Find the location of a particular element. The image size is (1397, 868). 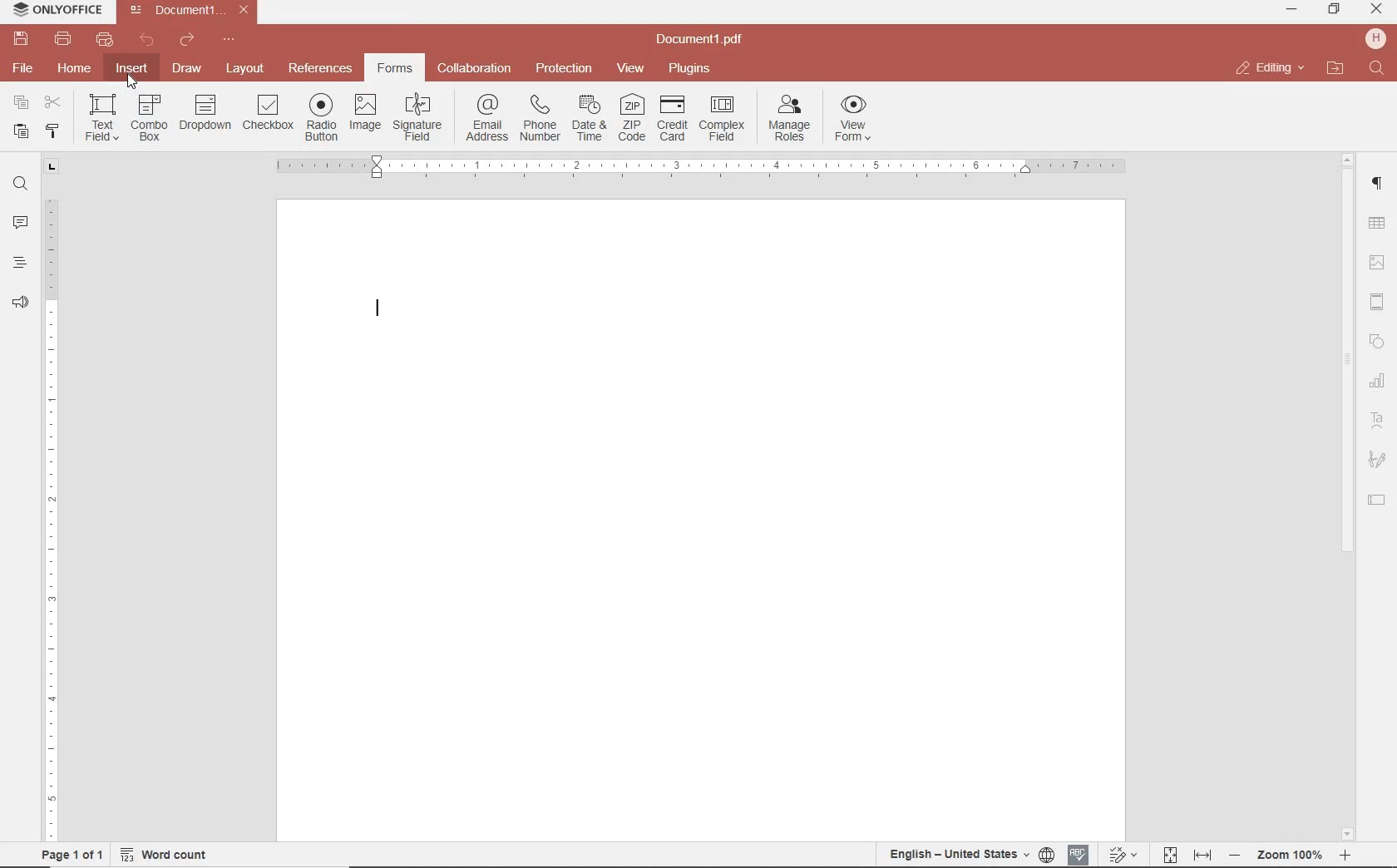

fit to page and width is located at coordinates (1184, 856).